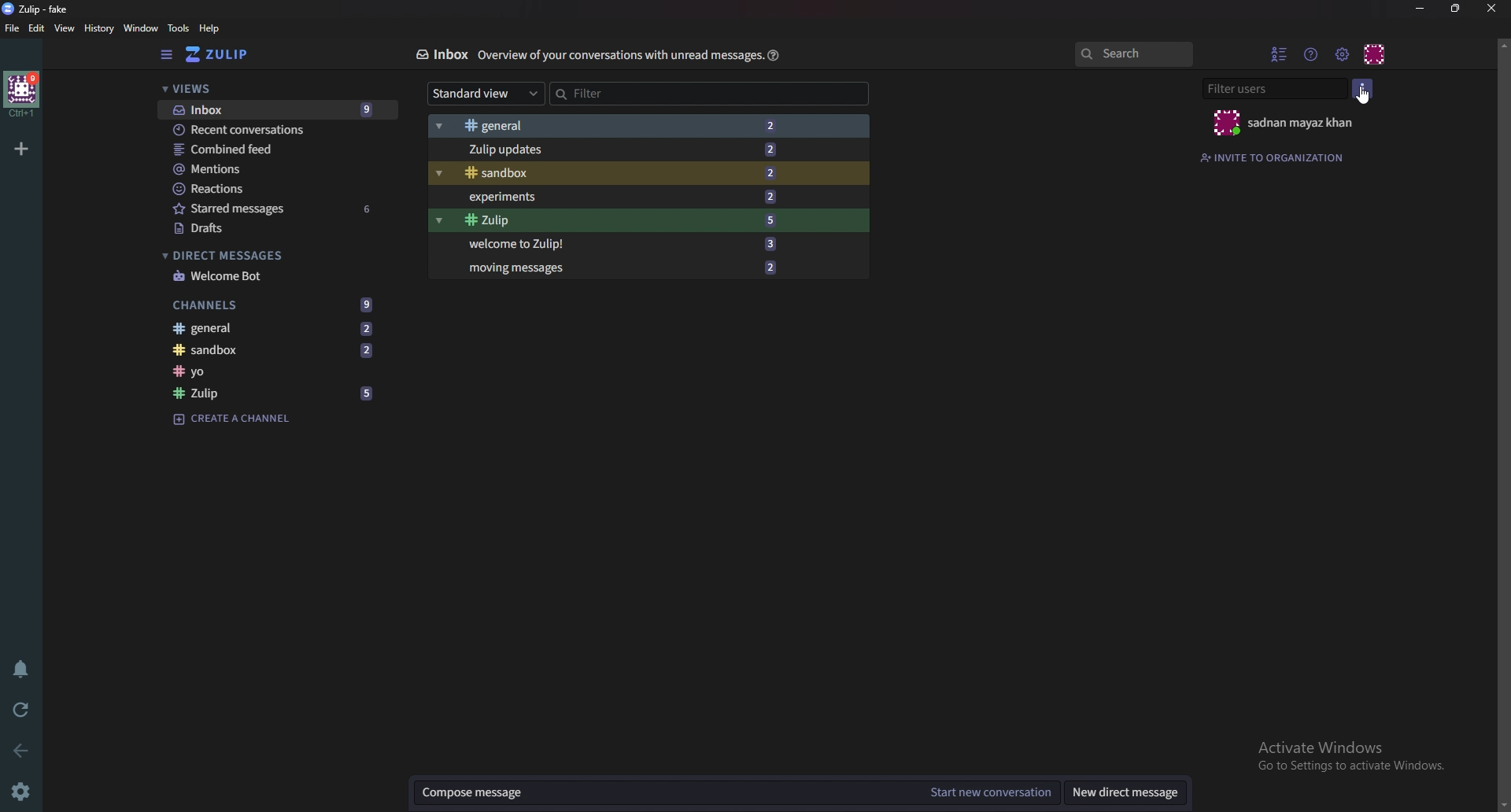  I want to click on help, so click(209, 29).